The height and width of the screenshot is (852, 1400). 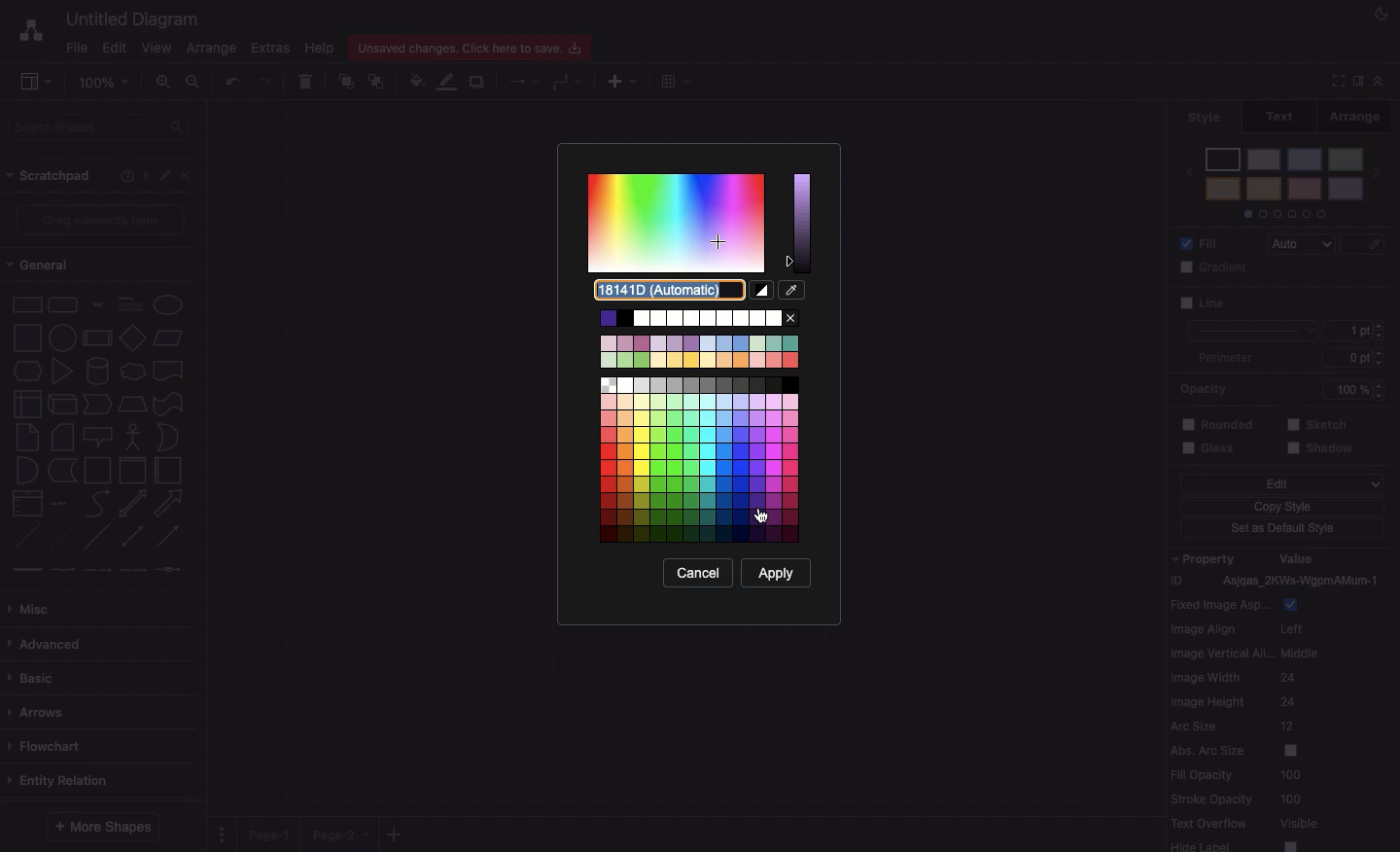 I want to click on Zoom in, so click(x=166, y=86).